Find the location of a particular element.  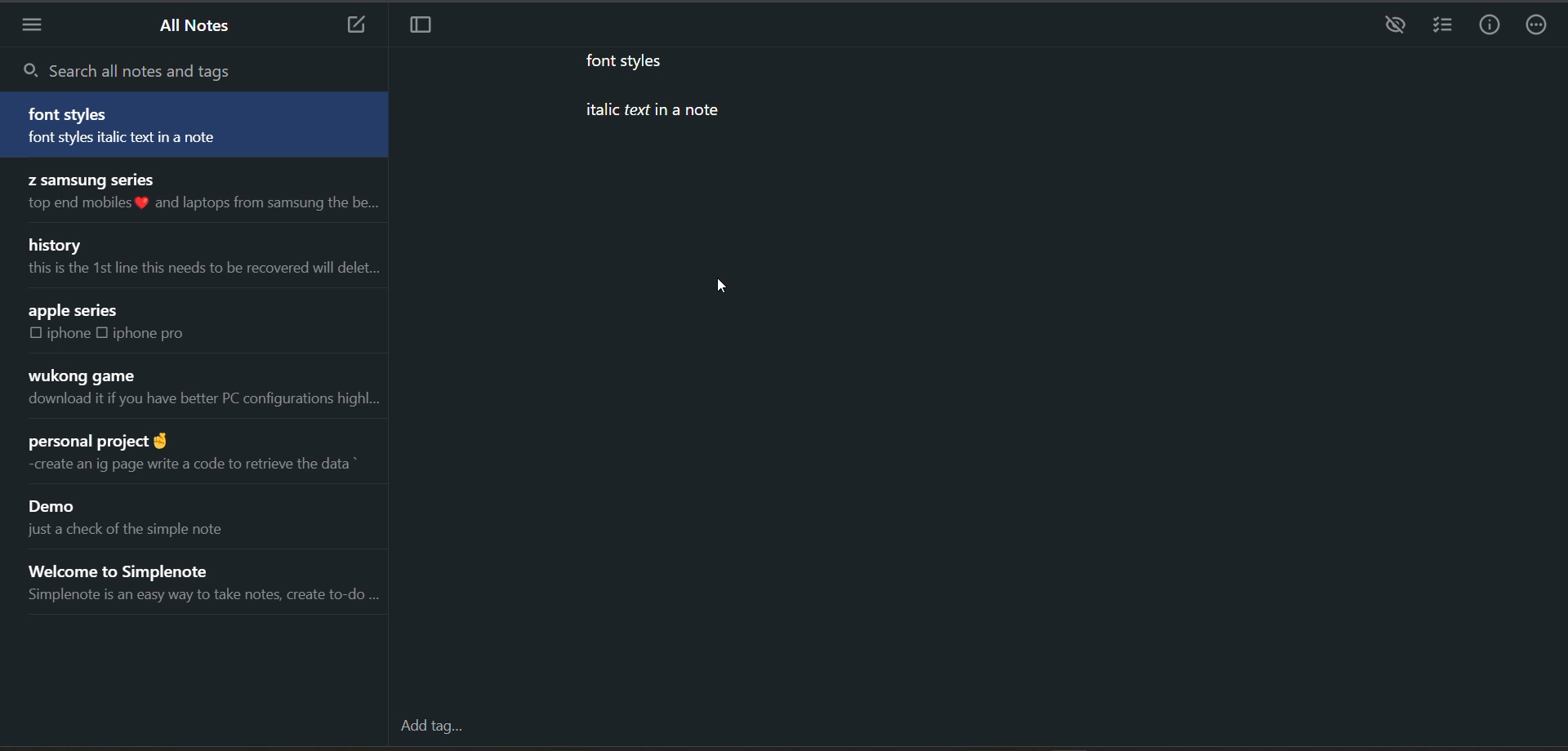

text in italic font is located at coordinates (638, 113).